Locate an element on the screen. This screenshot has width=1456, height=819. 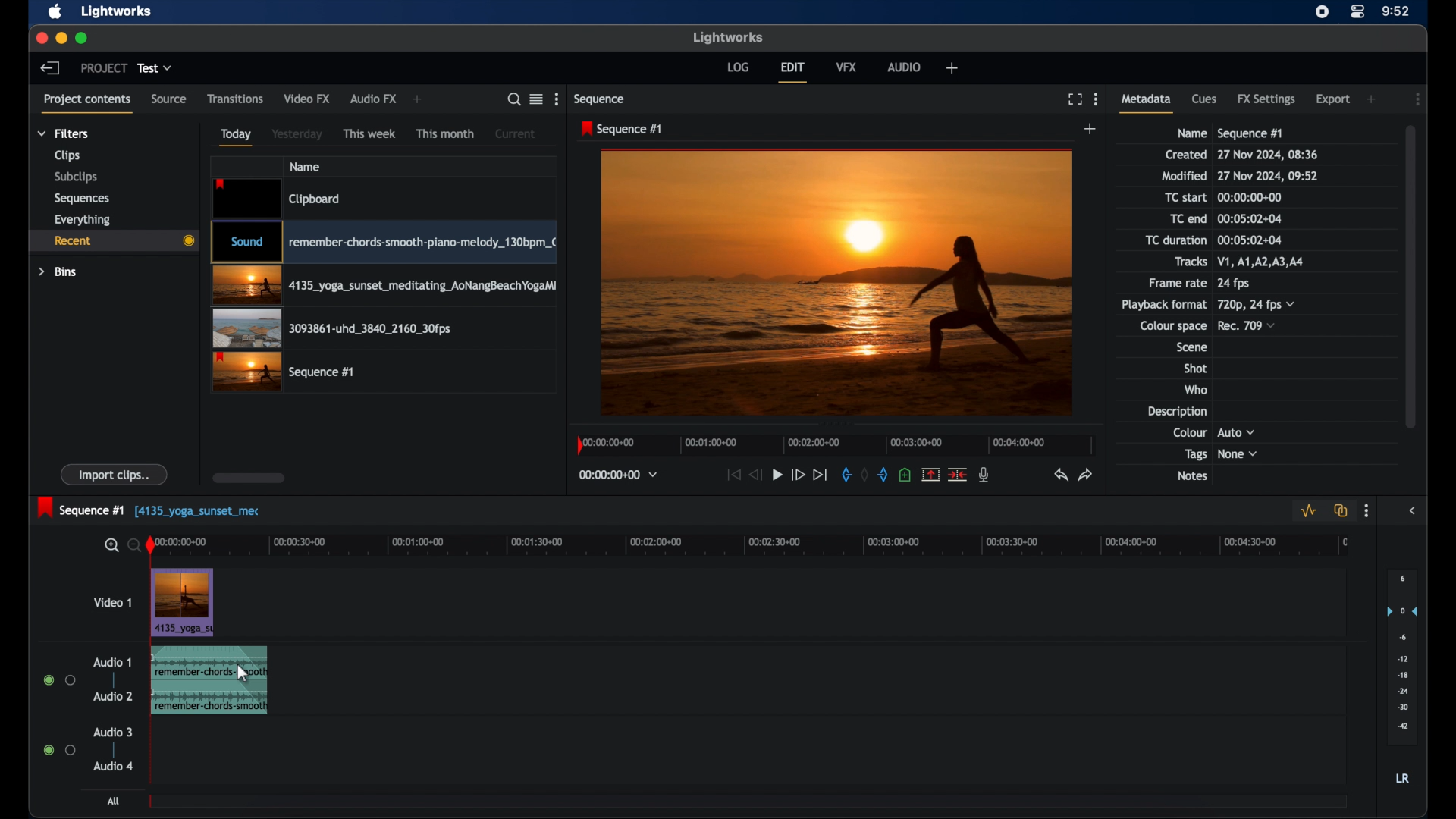
undo is located at coordinates (1059, 475).